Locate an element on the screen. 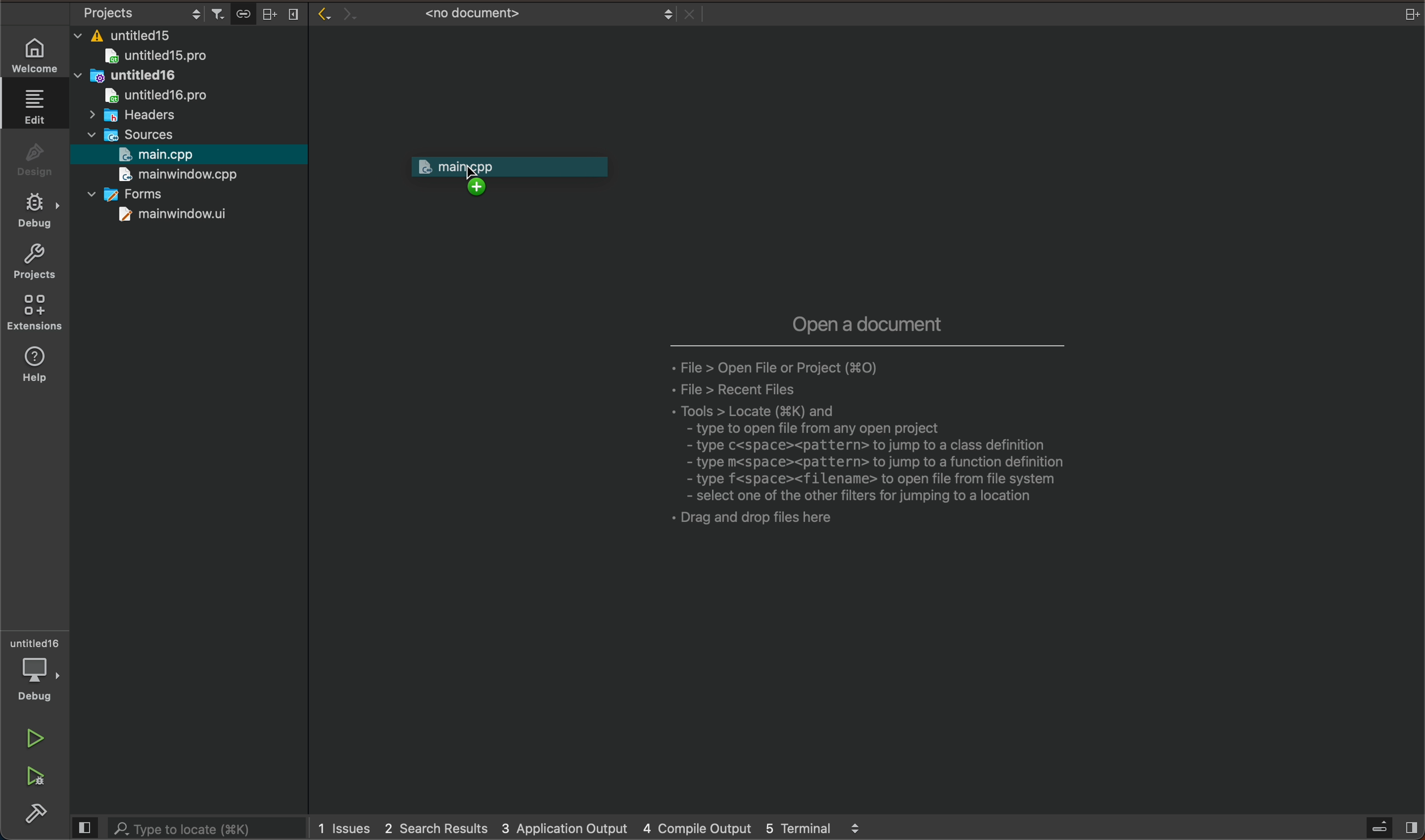  run is located at coordinates (30, 740).